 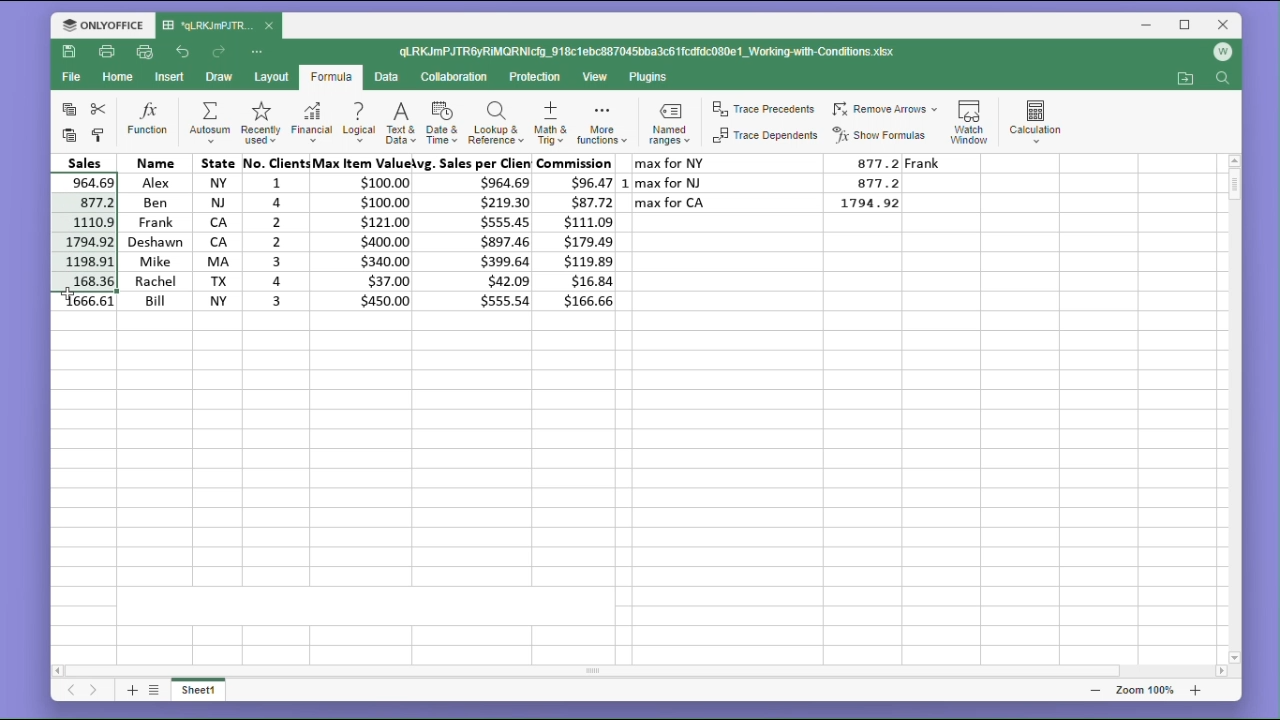 What do you see at coordinates (67, 294) in the screenshot?
I see `cursor` at bounding box center [67, 294].